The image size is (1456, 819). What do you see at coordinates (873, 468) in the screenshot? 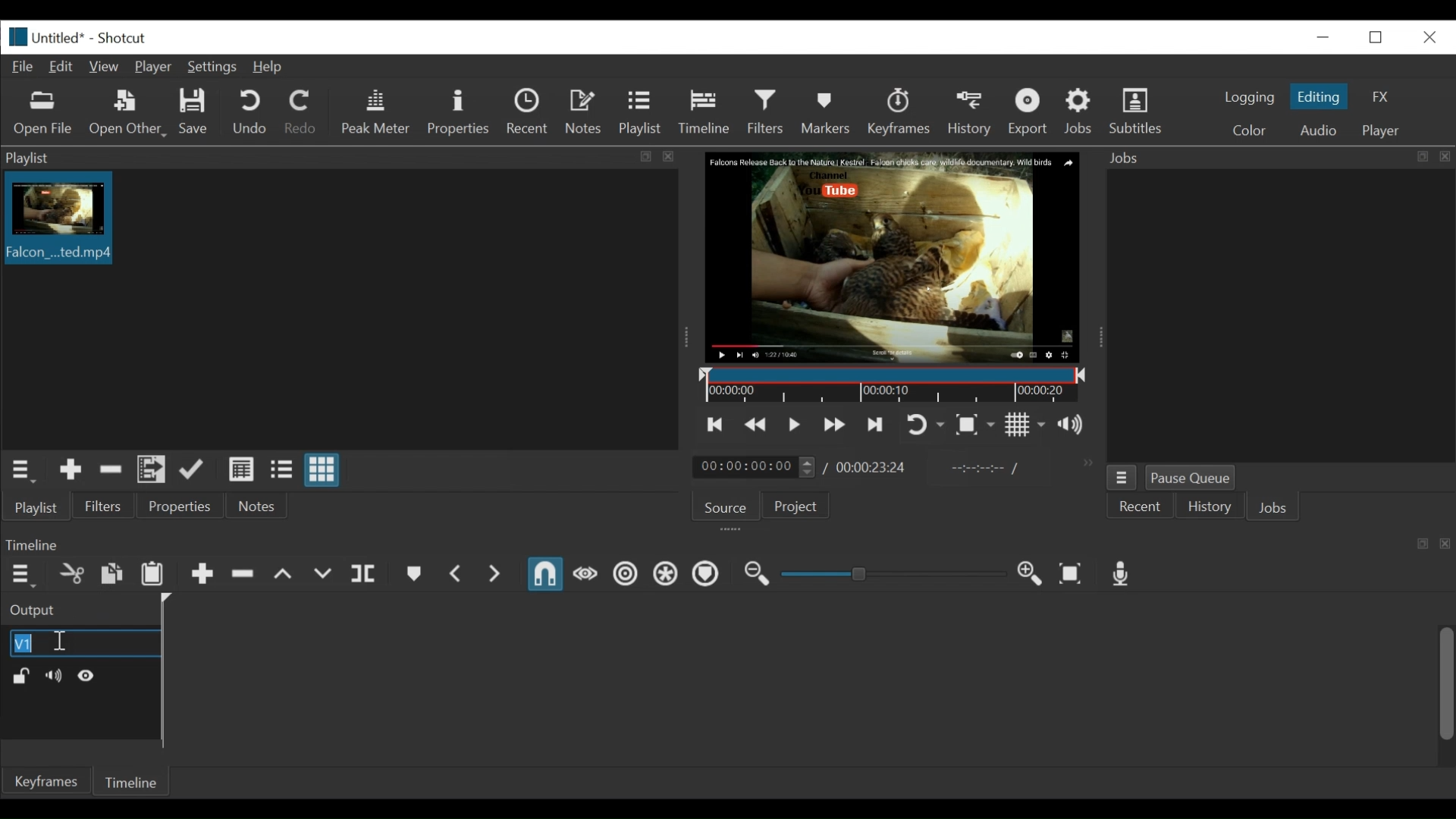
I see `Total Duration` at bounding box center [873, 468].